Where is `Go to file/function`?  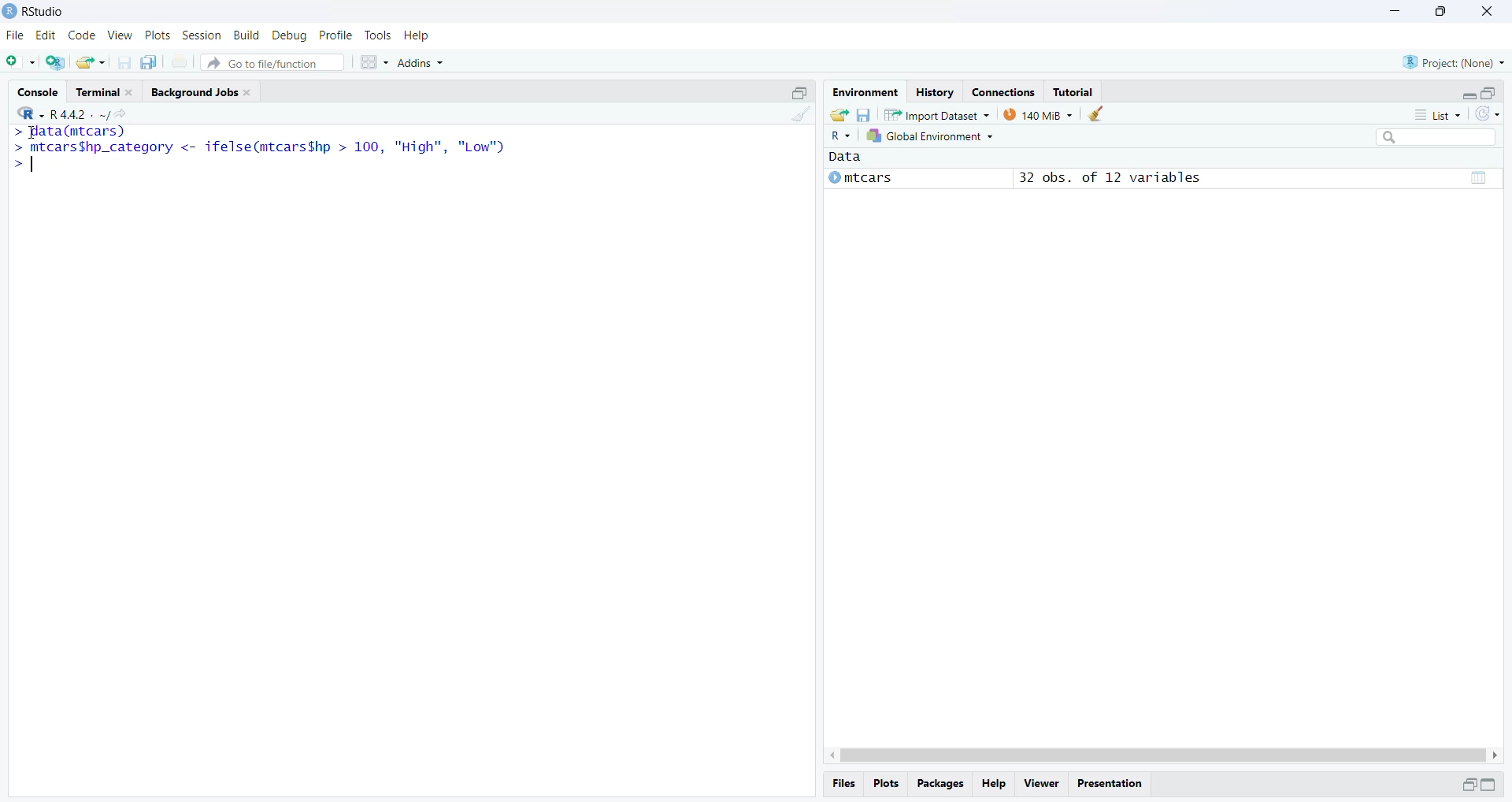
Go to file/function is located at coordinates (274, 61).